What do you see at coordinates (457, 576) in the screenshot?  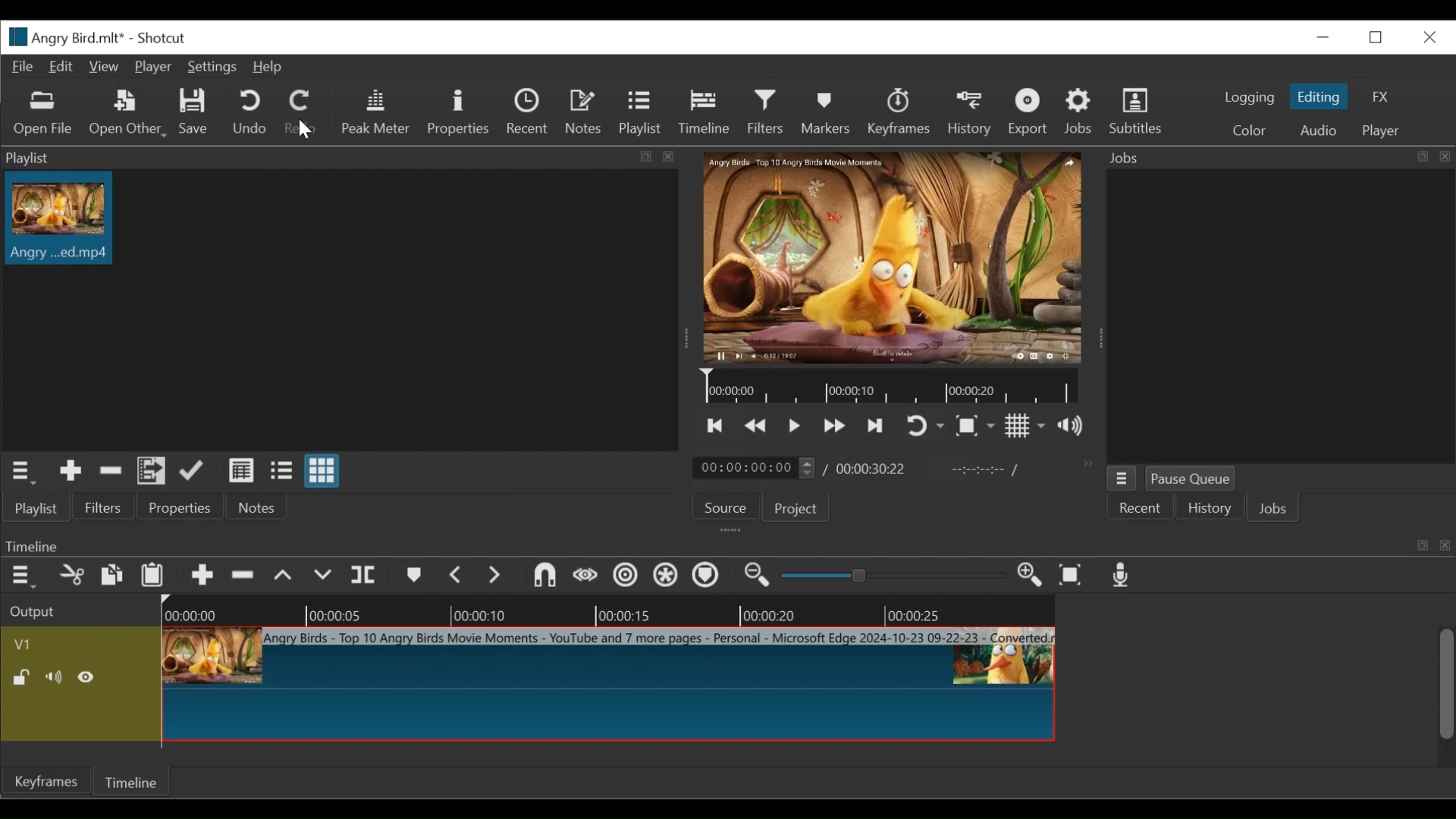 I see `Previous marker` at bounding box center [457, 576].